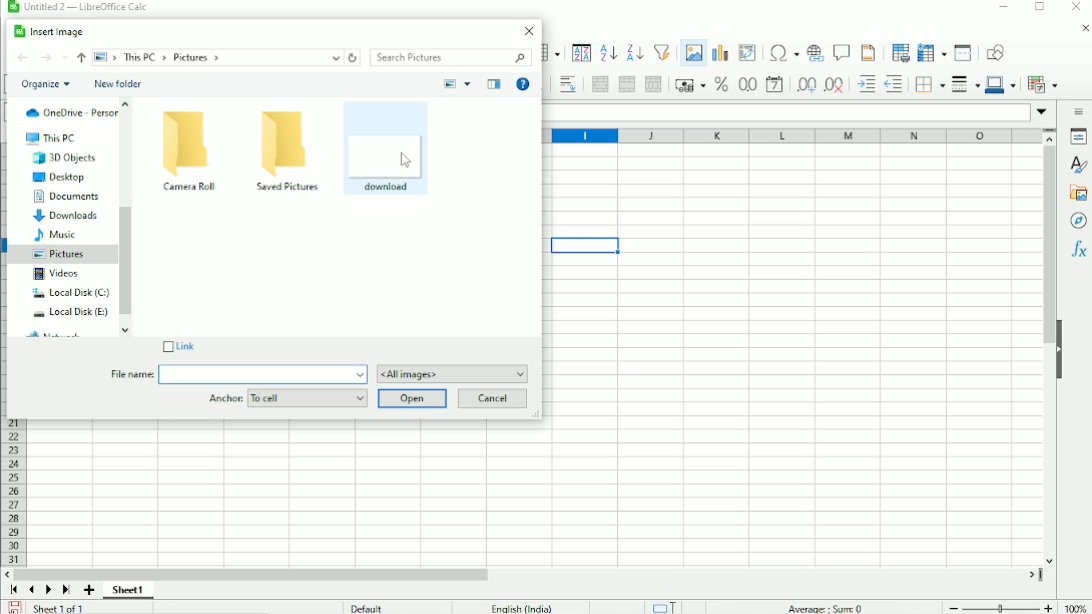 Image resolution: width=1092 pixels, height=614 pixels. What do you see at coordinates (65, 56) in the screenshot?
I see `Recent locations` at bounding box center [65, 56].